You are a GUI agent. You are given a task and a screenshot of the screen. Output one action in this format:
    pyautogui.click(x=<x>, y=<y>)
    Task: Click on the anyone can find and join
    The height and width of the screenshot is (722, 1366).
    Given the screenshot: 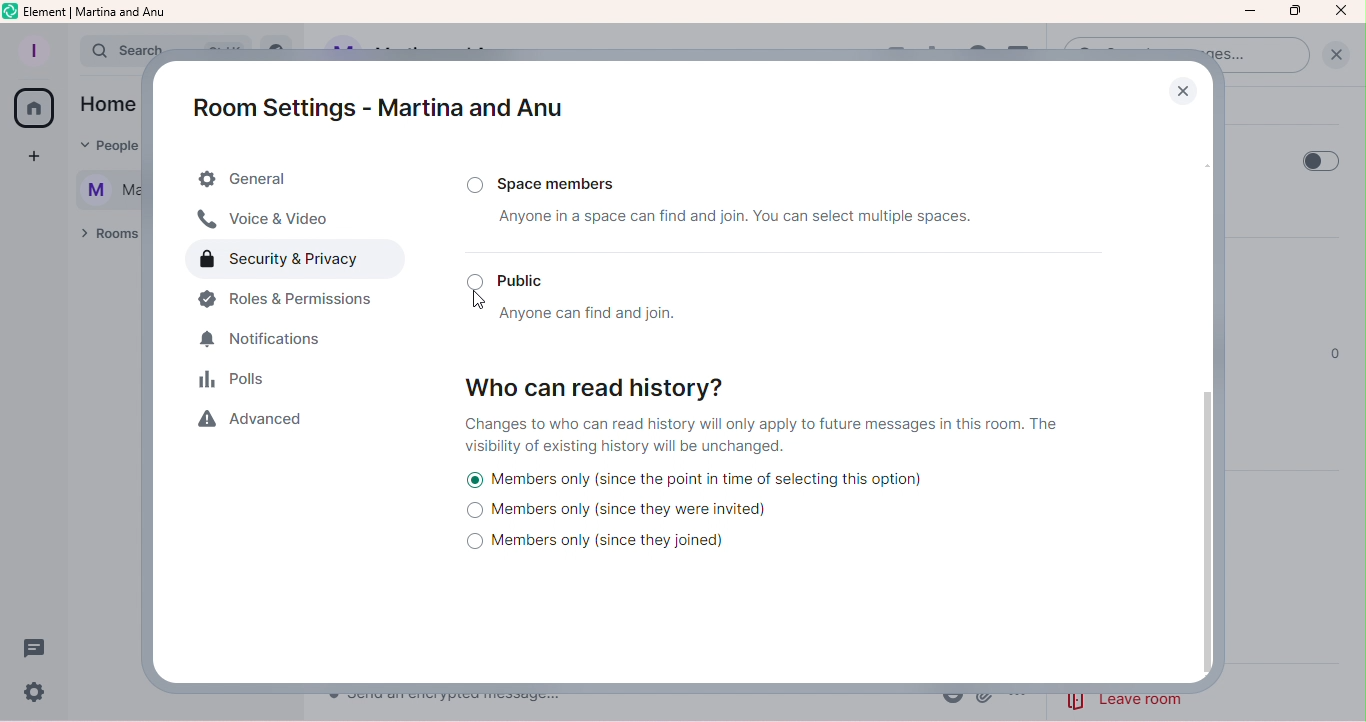 What is the action you would take?
    pyautogui.click(x=592, y=313)
    